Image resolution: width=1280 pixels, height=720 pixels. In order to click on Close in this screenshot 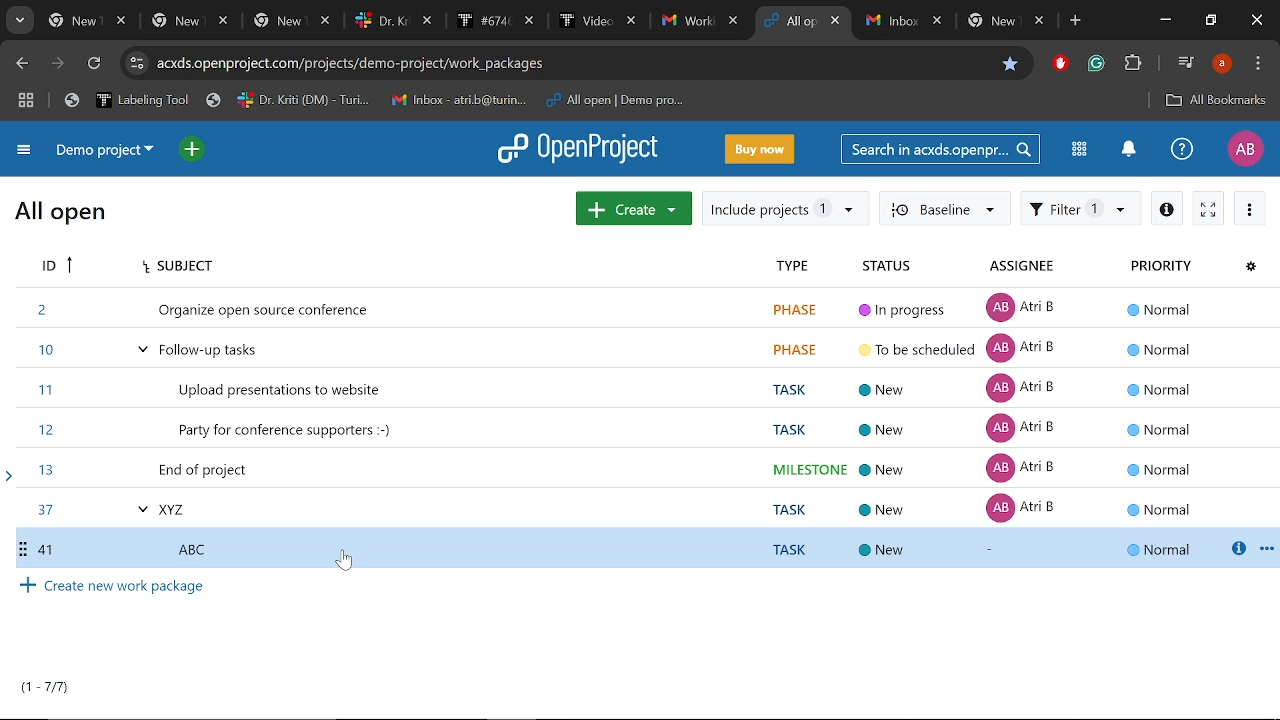, I will do `click(1256, 20)`.